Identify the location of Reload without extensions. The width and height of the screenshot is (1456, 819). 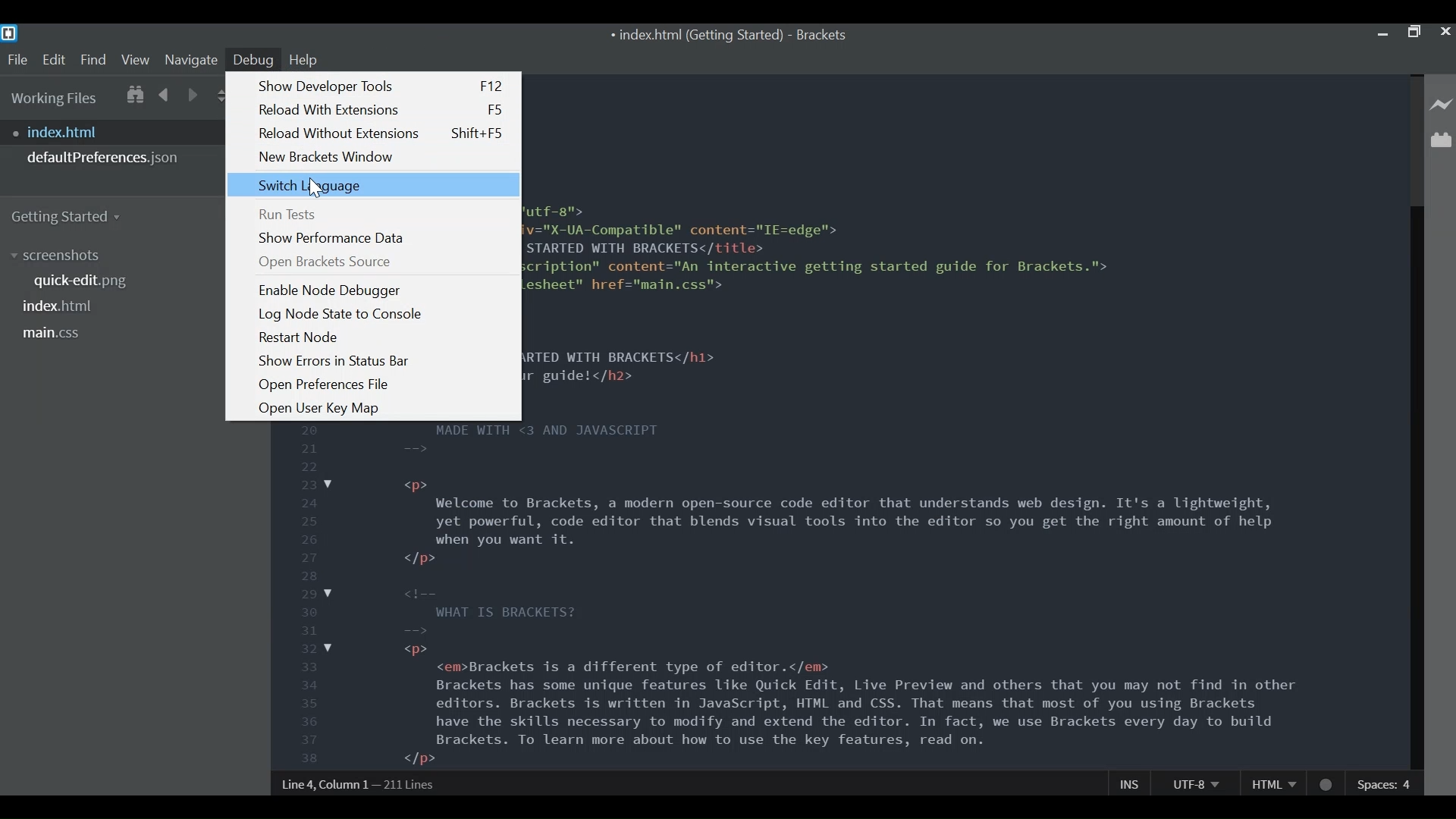
(381, 135).